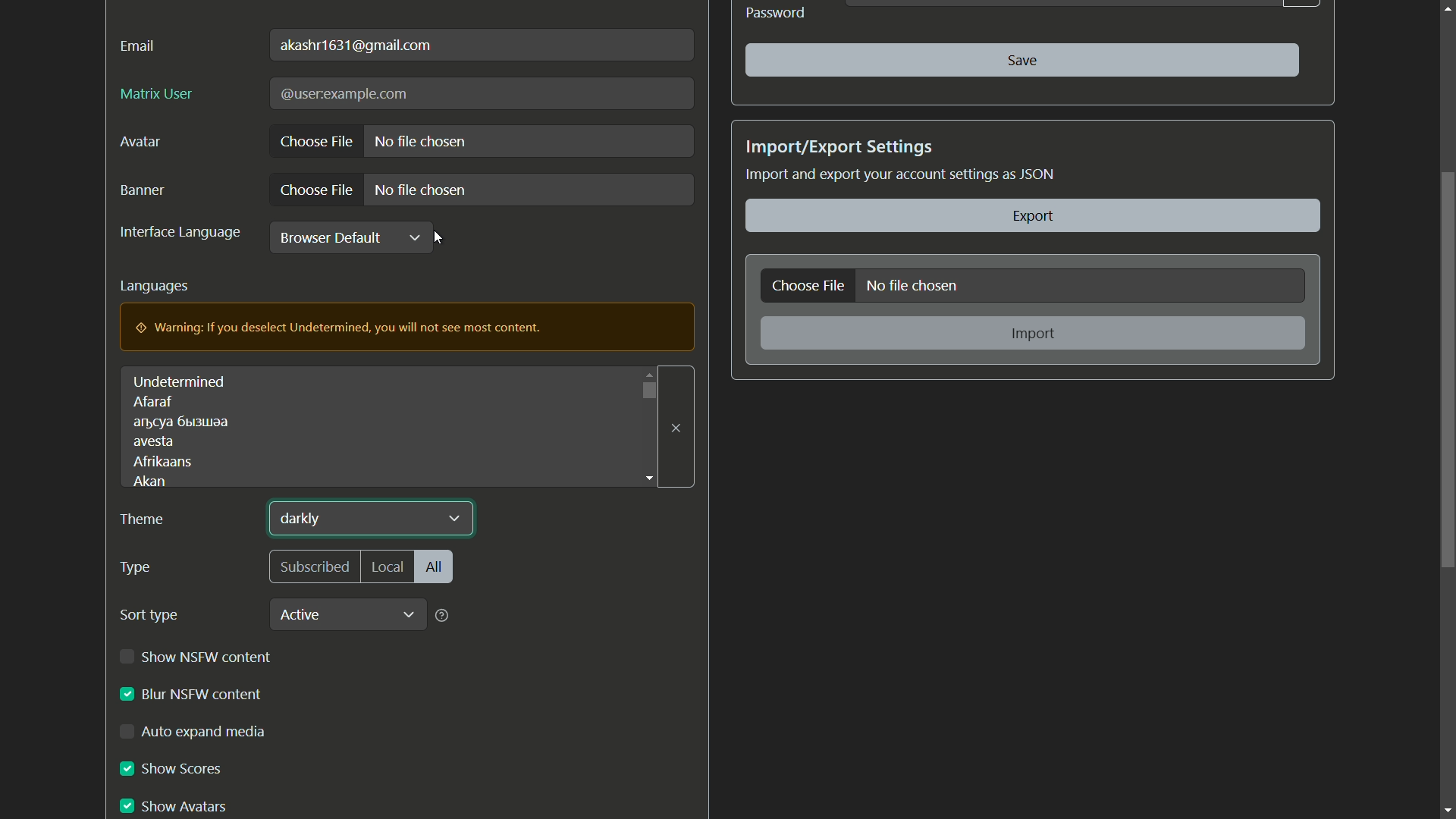  Describe the element at coordinates (208, 657) in the screenshot. I see `show nsfw content` at that location.